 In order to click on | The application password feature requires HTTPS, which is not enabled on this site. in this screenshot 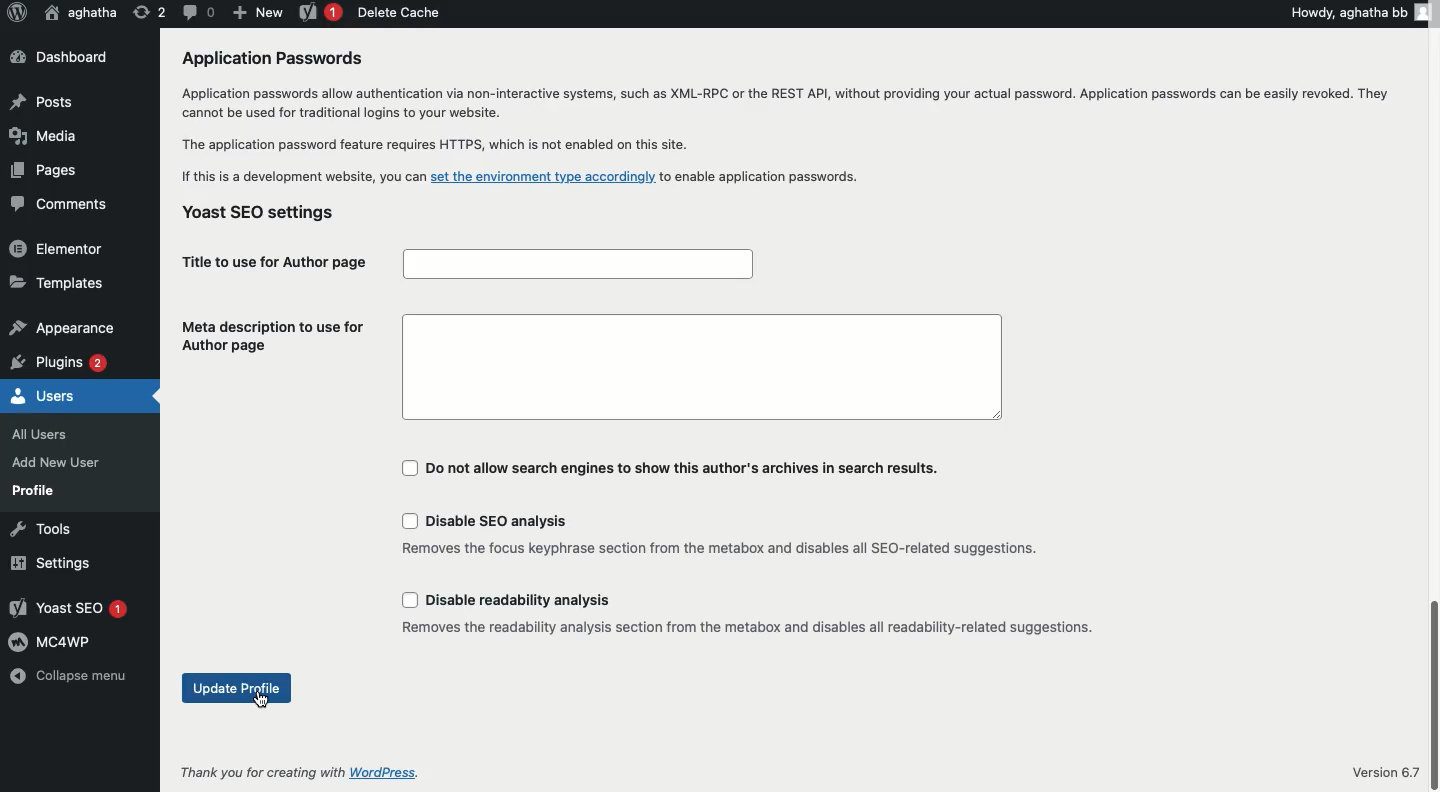, I will do `click(446, 144)`.